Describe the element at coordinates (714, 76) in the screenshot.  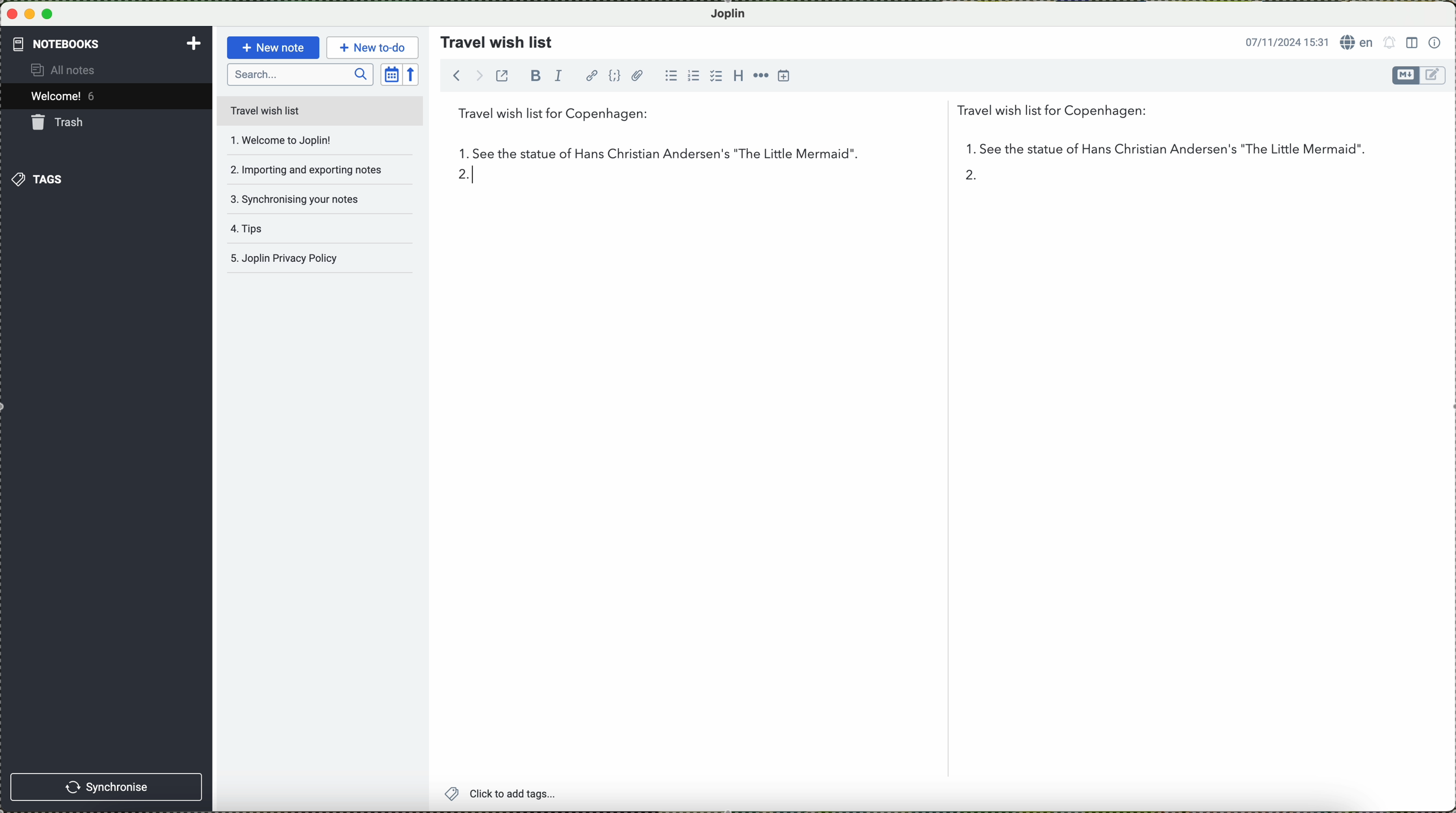
I see `checkbox` at that location.